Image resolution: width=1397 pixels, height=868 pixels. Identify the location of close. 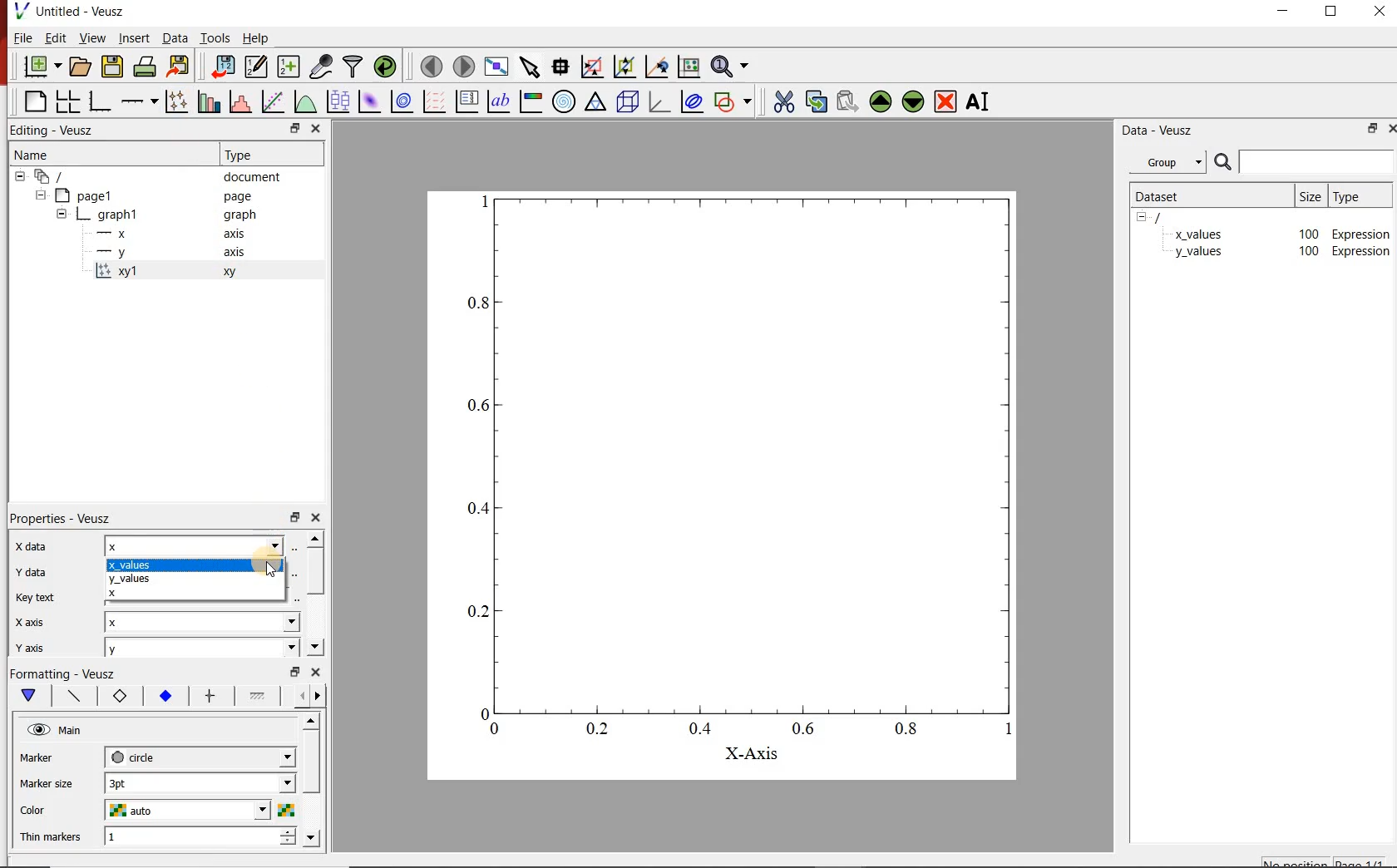
(317, 128).